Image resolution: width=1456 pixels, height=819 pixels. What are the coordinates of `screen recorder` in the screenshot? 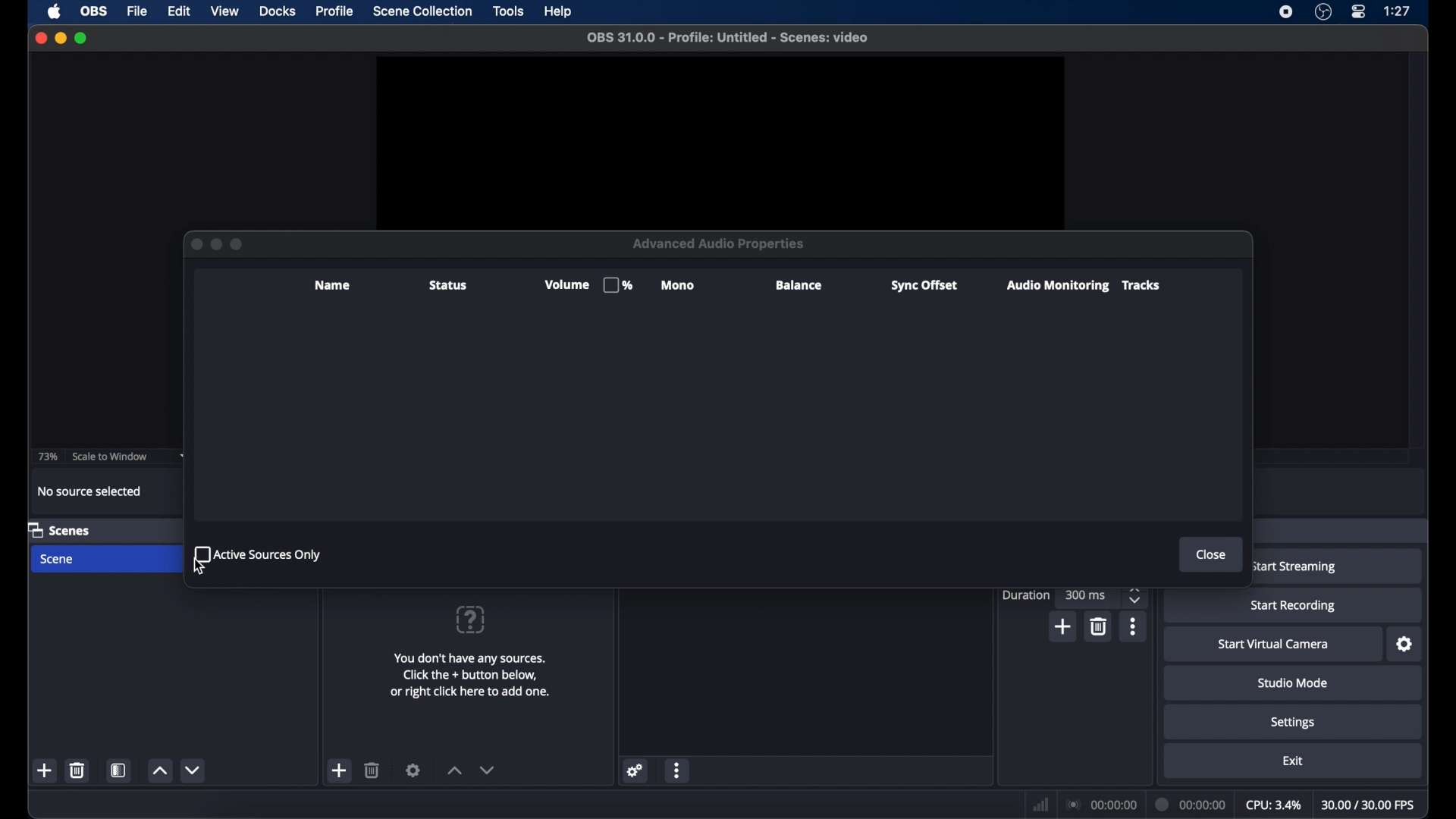 It's located at (1284, 13).